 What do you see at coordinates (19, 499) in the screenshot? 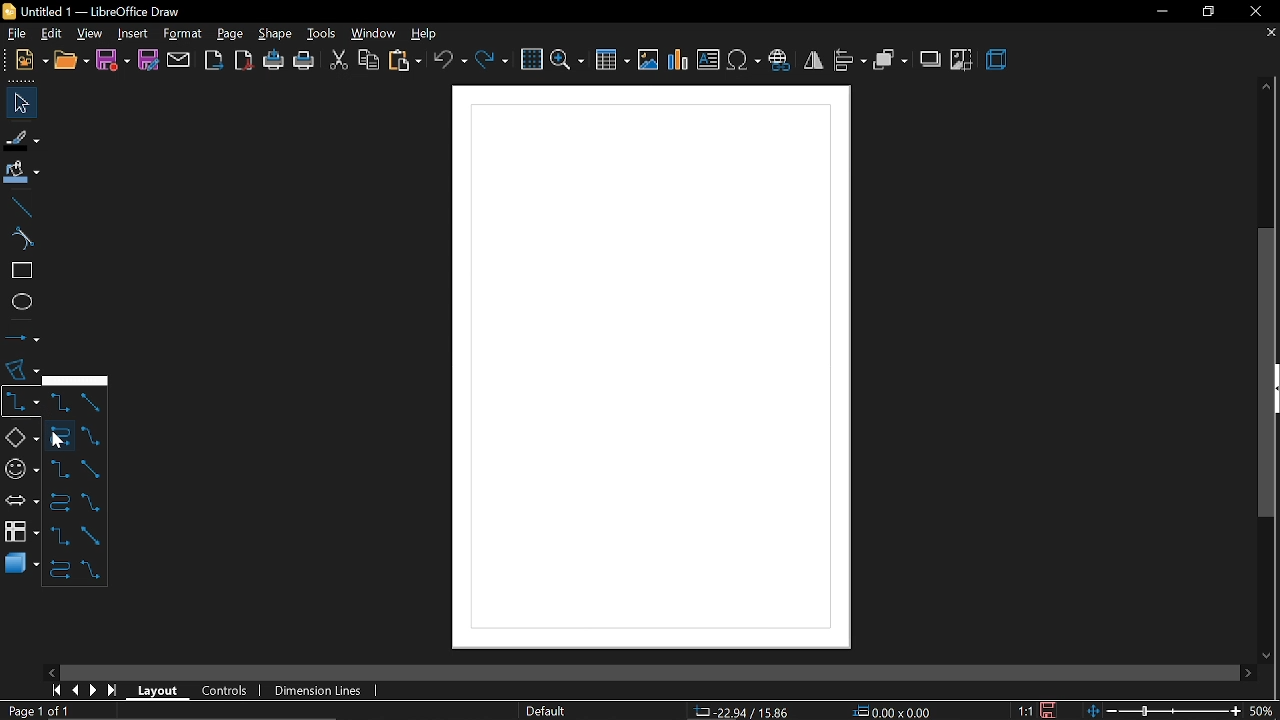
I see `arrows` at bounding box center [19, 499].